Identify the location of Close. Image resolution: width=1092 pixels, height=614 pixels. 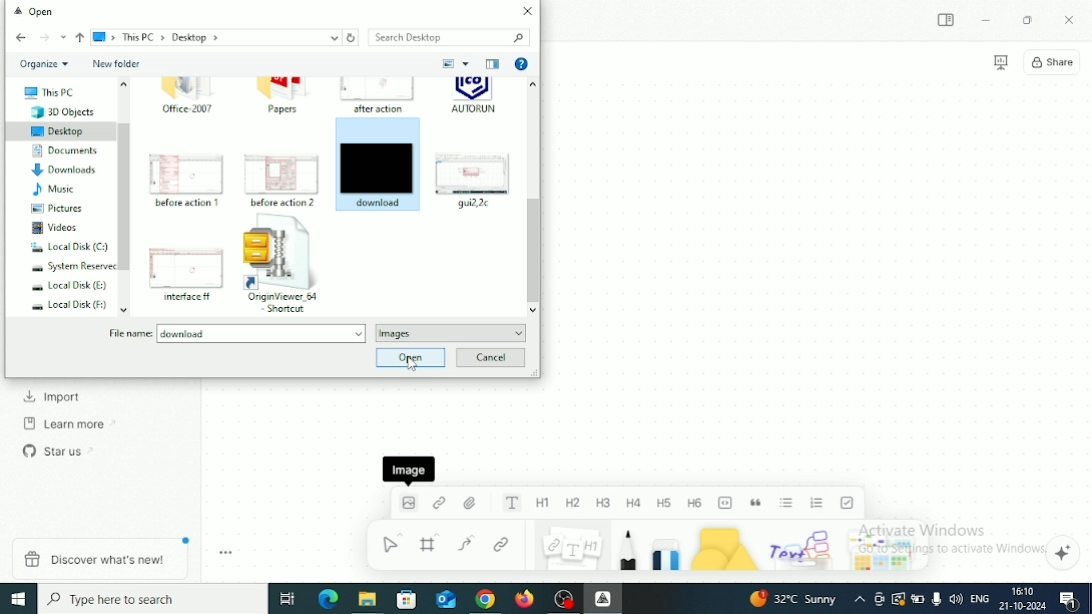
(528, 11).